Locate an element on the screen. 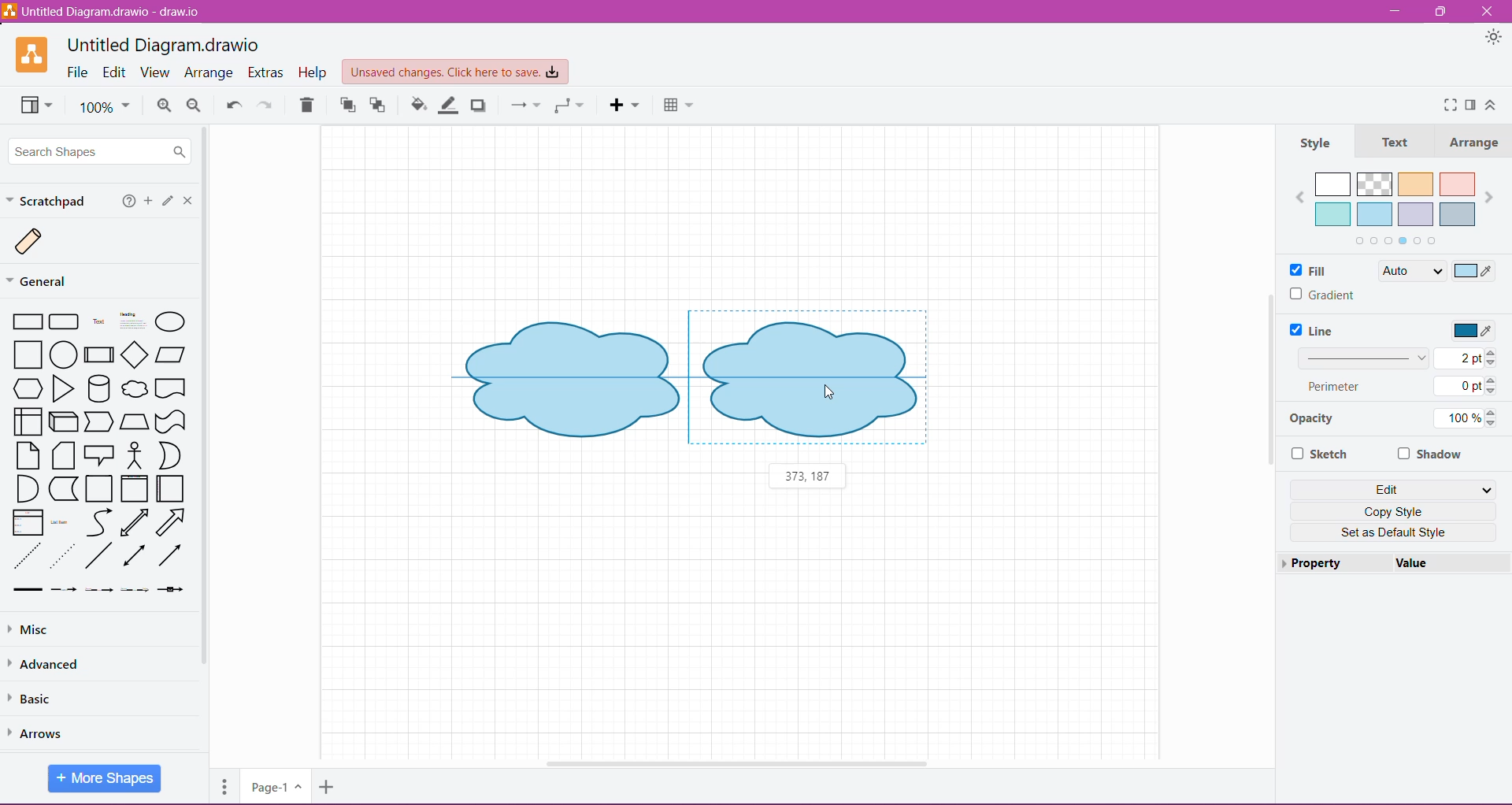  Help is located at coordinates (314, 73).